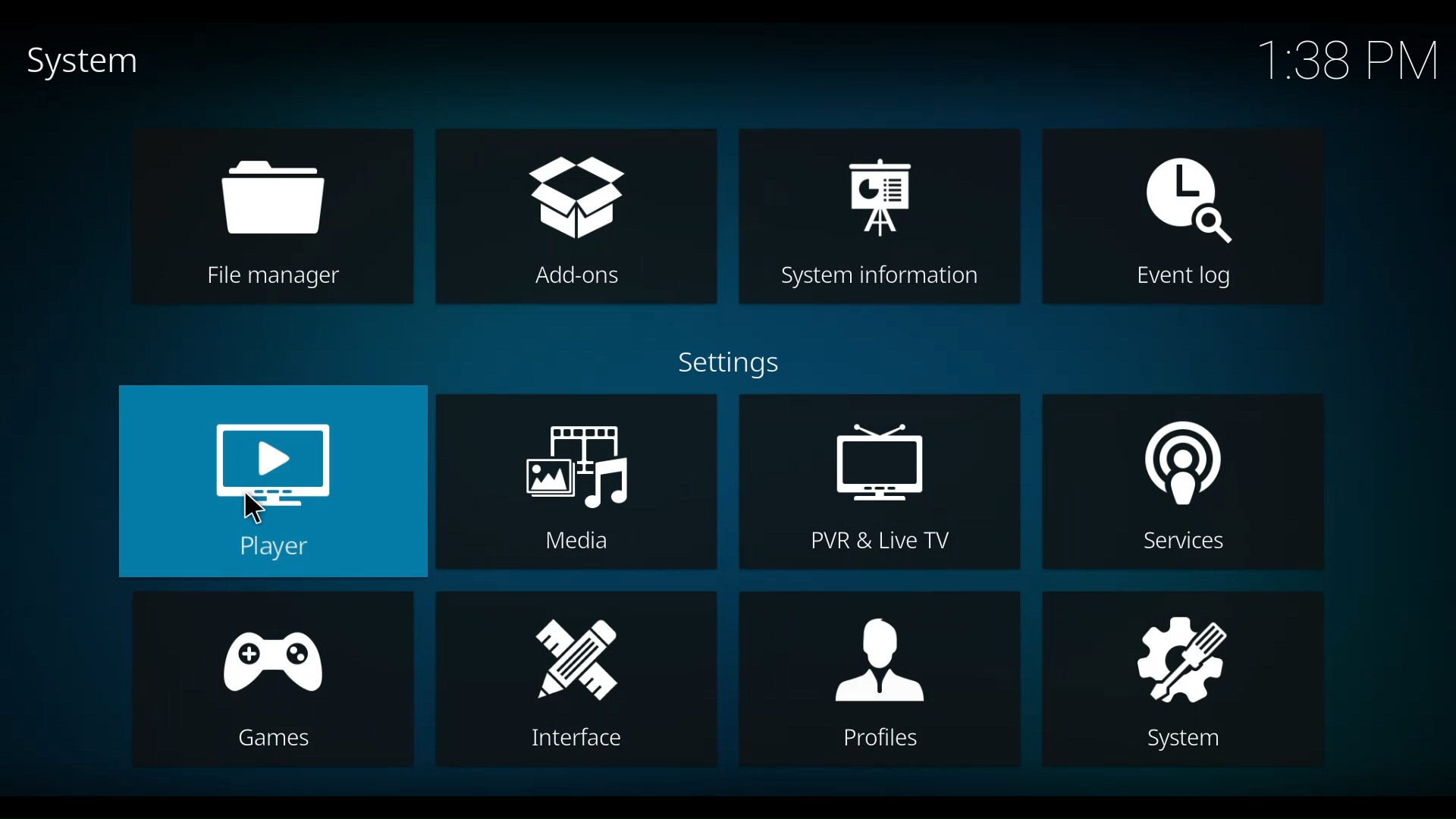 This screenshot has height=819, width=1456. What do you see at coordinates (579, 678) in the screenshot?
I see `Interface` at bounding box center [579, 678].